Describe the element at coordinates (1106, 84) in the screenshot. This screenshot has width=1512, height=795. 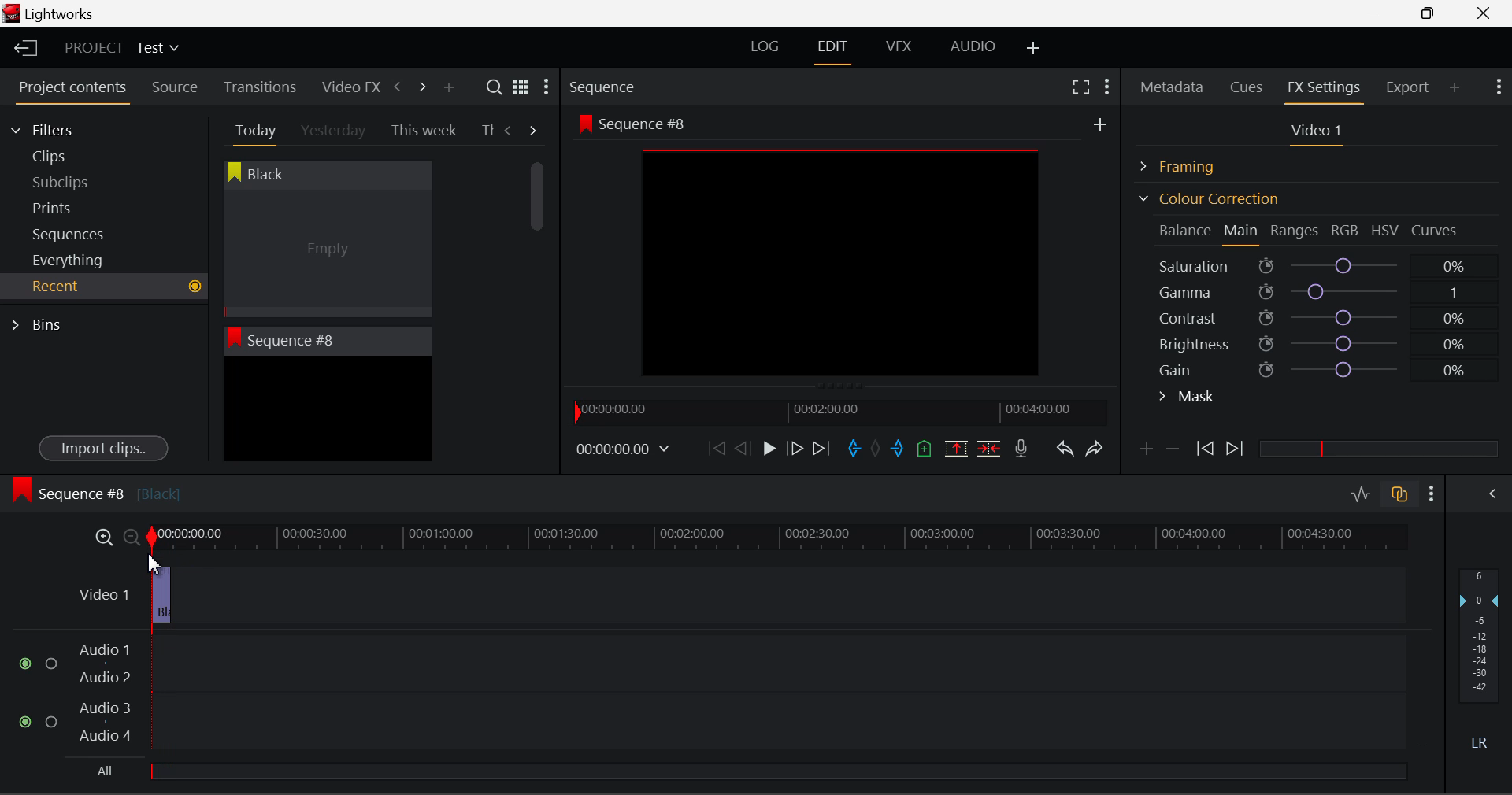
I see `Show Settings` at that location.